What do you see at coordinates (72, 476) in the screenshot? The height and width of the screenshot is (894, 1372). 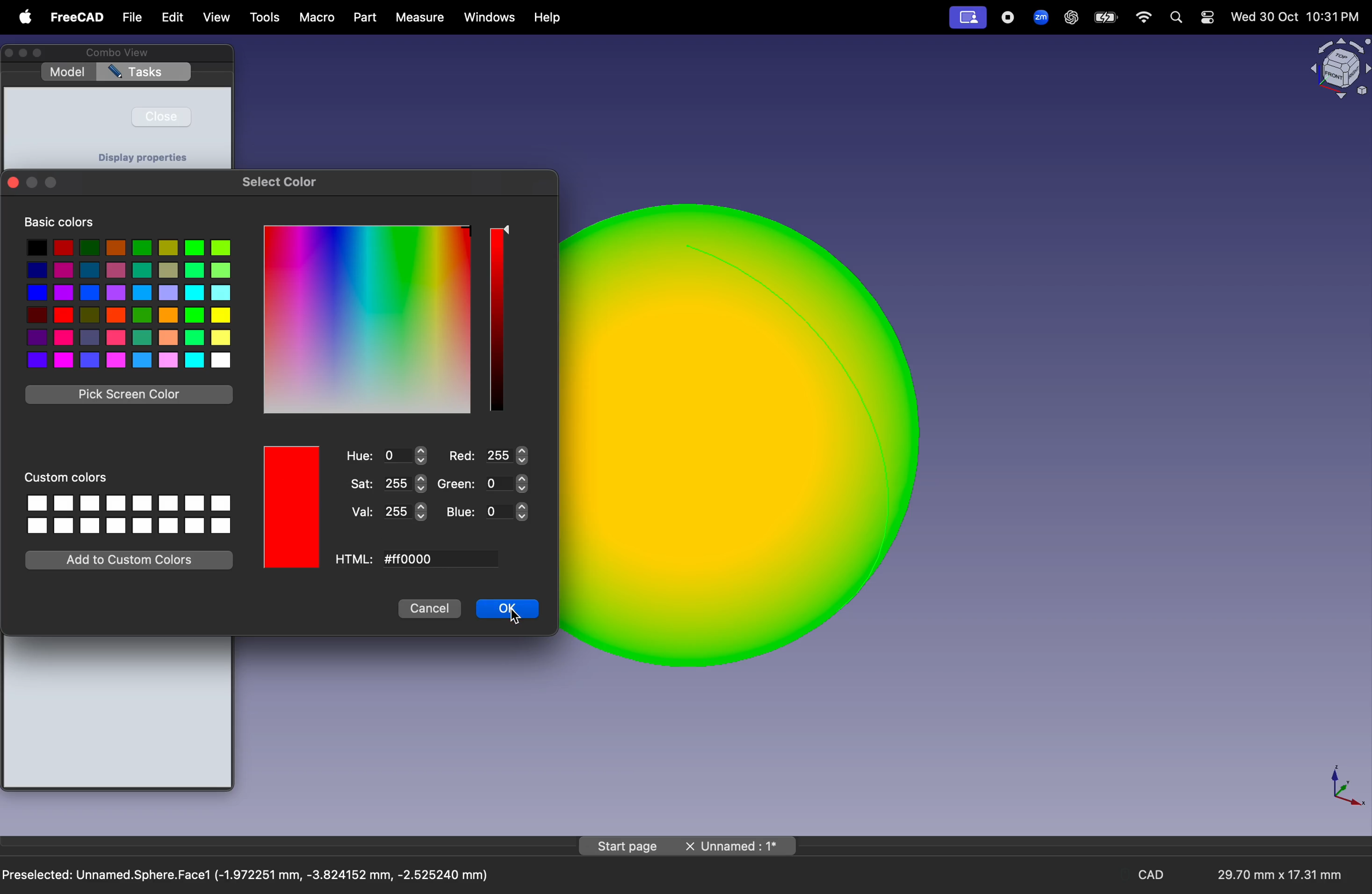 I see `custom color` at bounding box center [72, 476].